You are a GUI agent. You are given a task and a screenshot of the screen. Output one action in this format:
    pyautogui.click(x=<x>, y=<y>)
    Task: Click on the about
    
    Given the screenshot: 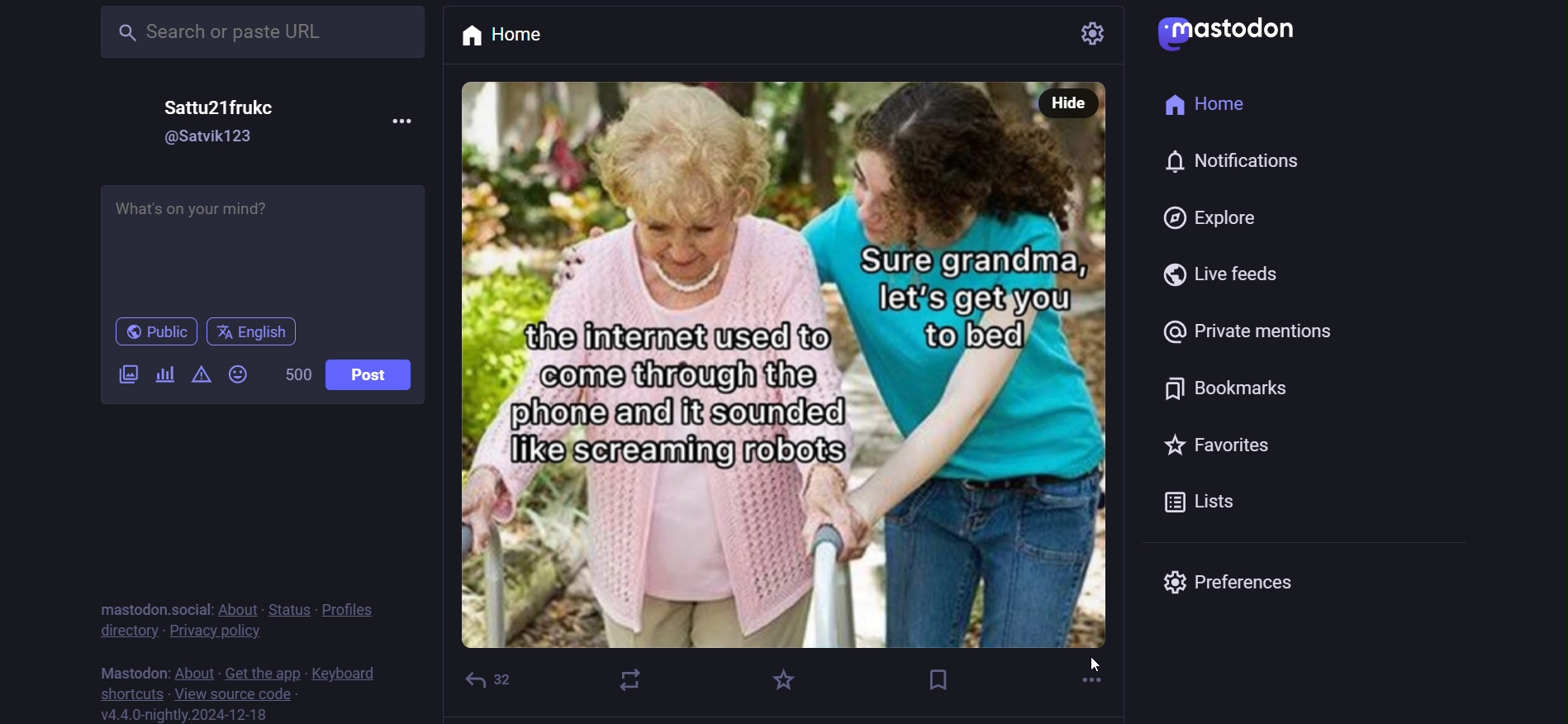 What is the action you would take?
    pyautogui.click(x=193, y=671)
    